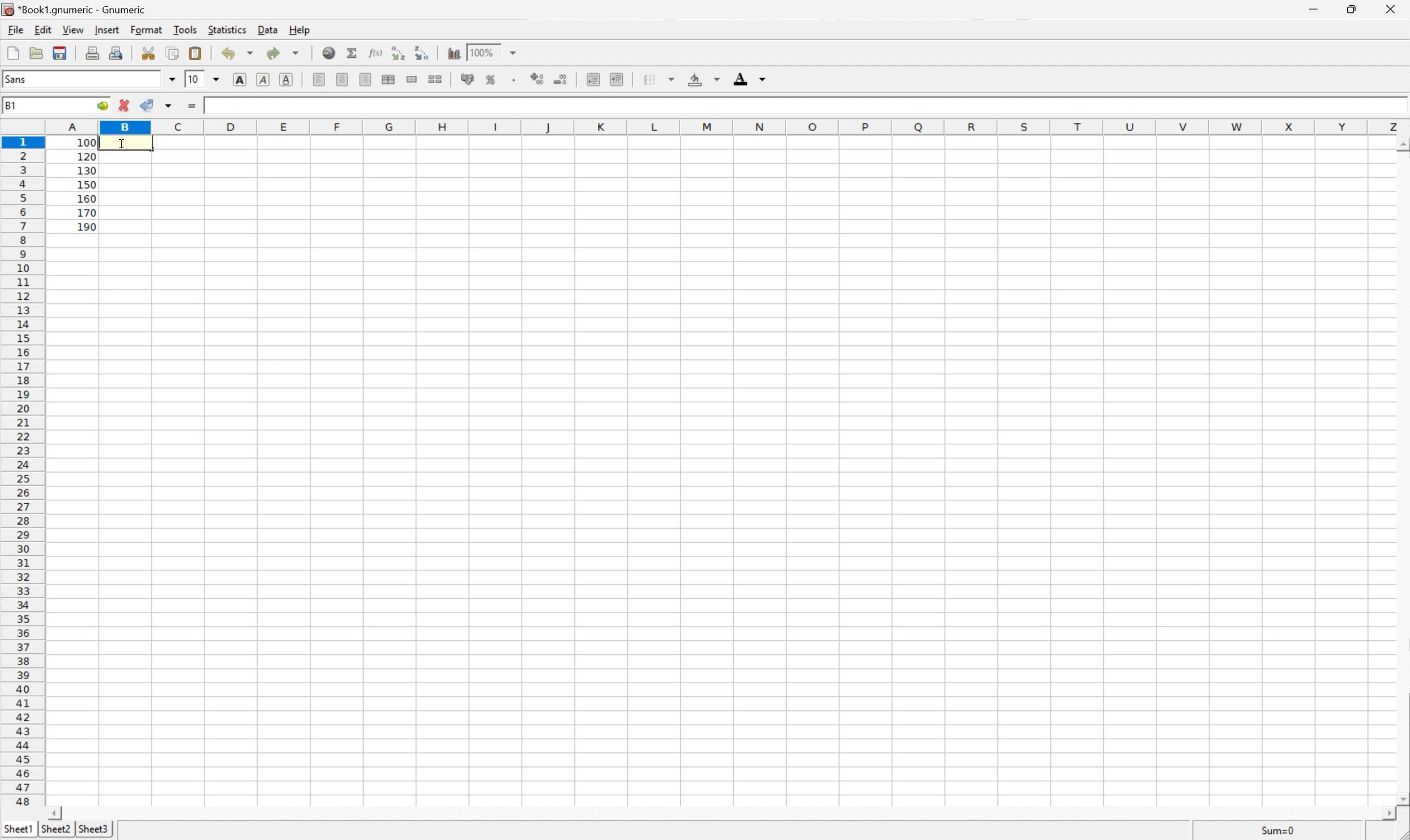 This screenshot has height=840, width=1410. What do you see at coordinates (1390, 11) in the screenshot?
I see `Close` at bounding box center [1390, 11].